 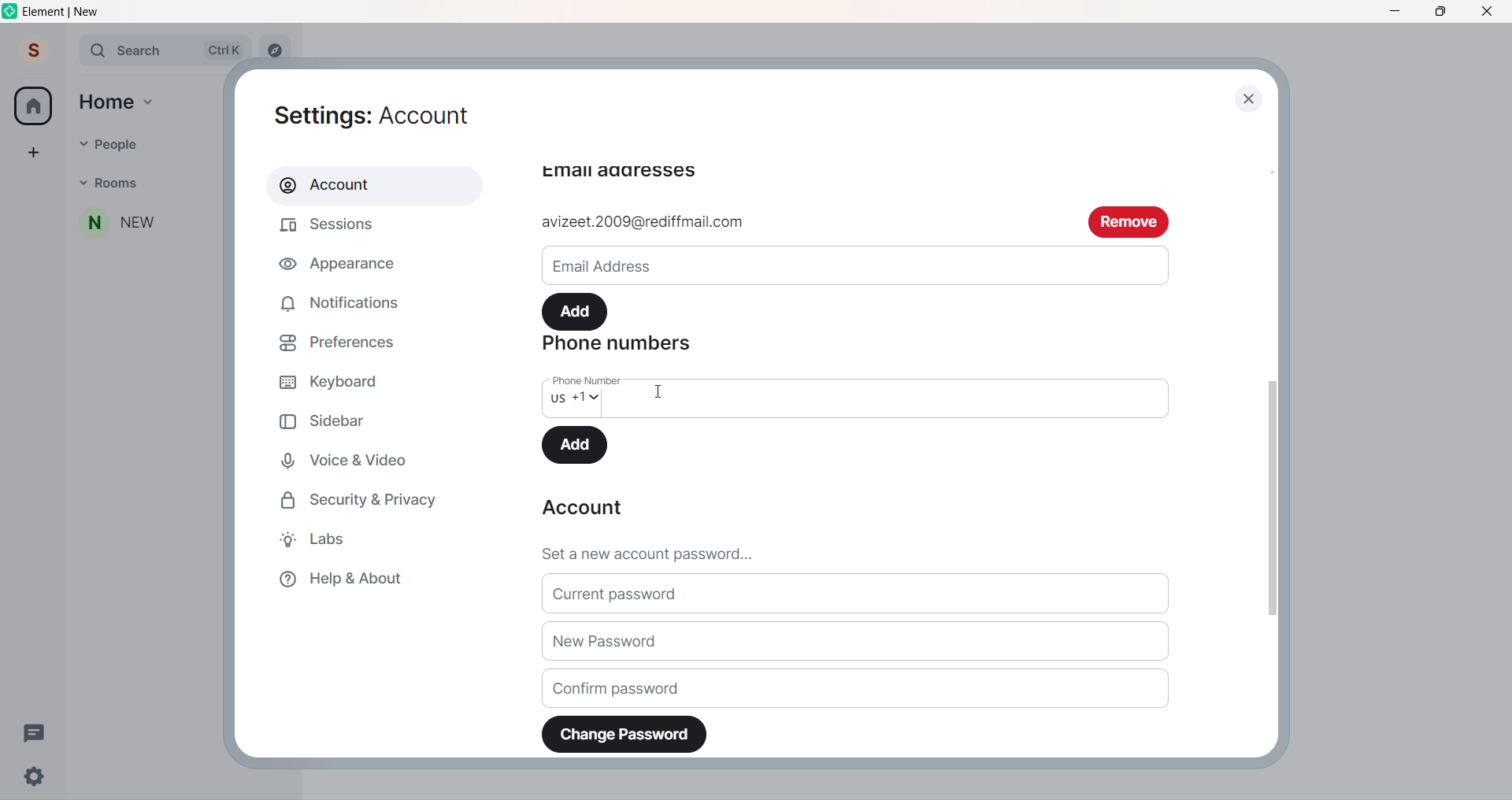 I want to click on Account, so click(x=583, y=509).